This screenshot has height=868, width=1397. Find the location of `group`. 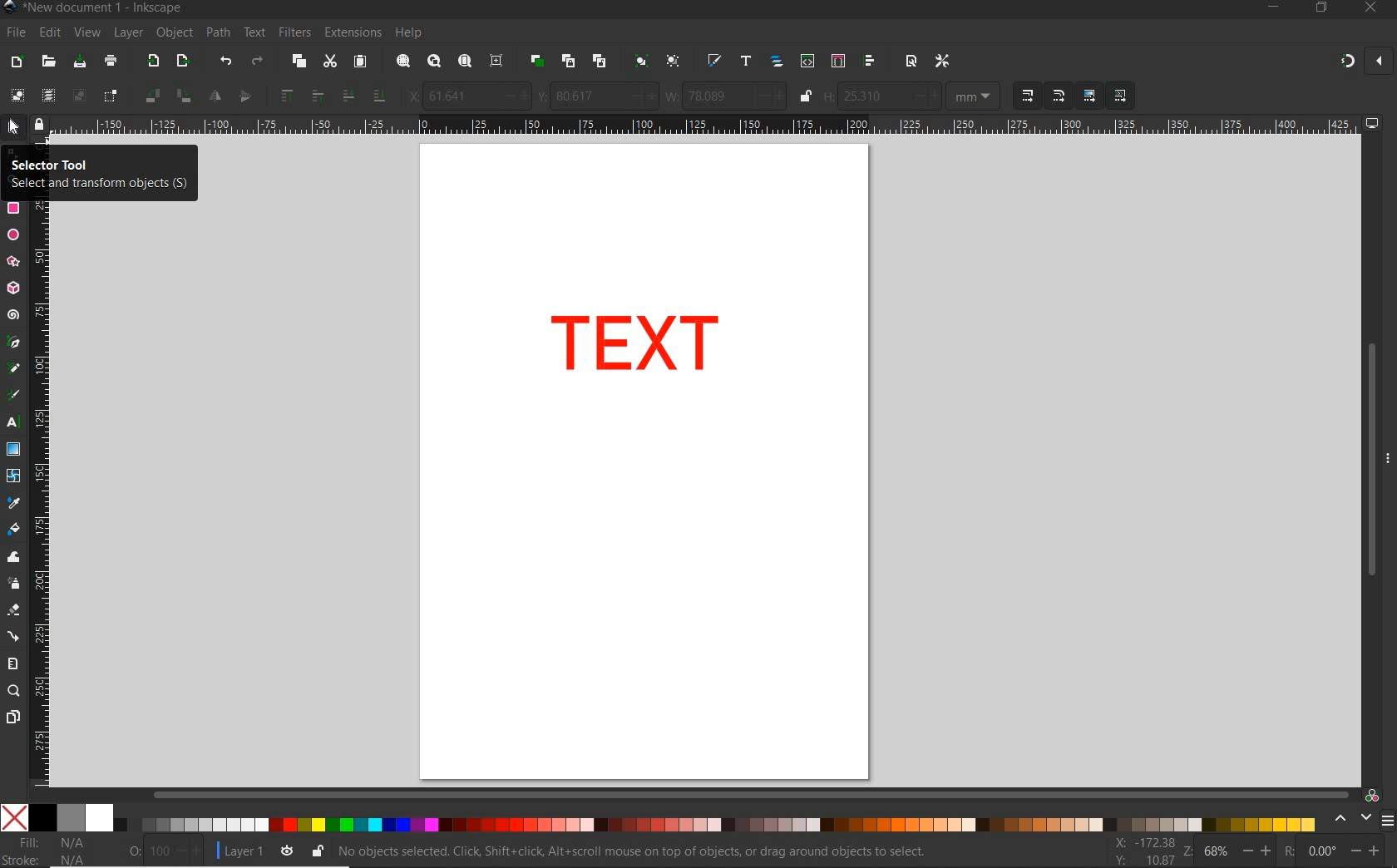

group is located at coordinates (639, 62).